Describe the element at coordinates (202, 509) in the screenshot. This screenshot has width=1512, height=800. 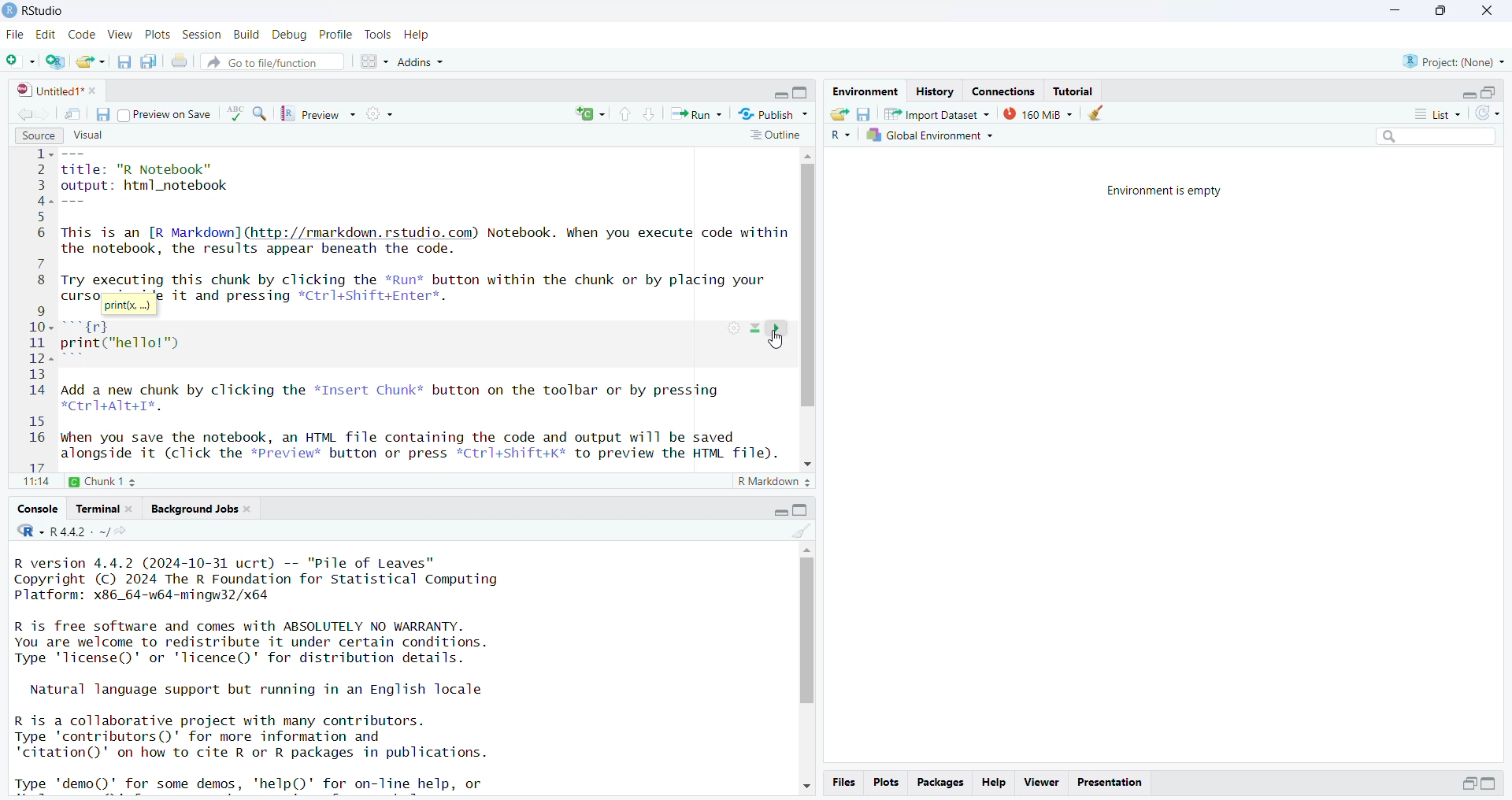
I see `background jobs` at that location.